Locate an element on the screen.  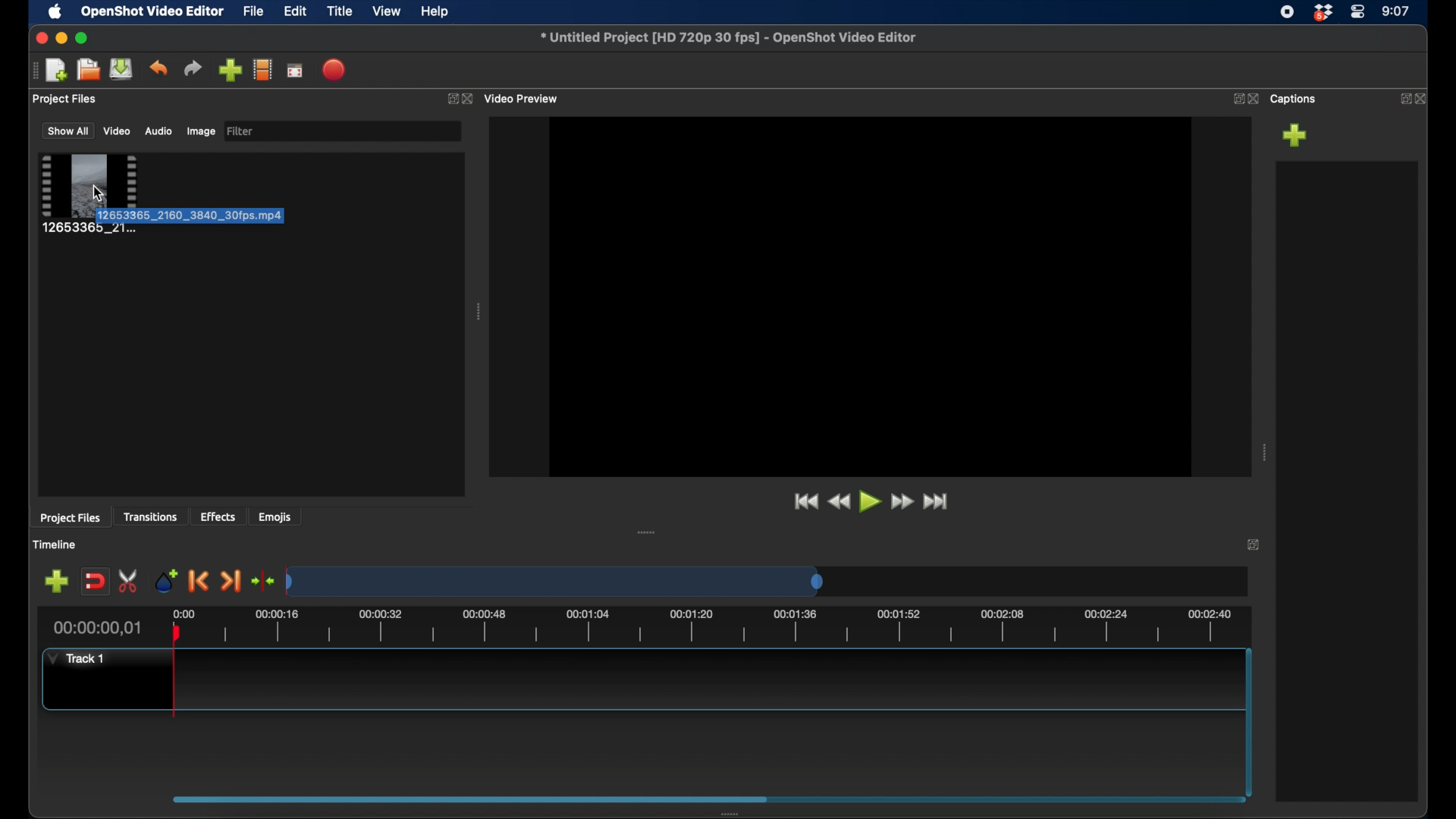
explore profiles is located at coordinates (263, 70).